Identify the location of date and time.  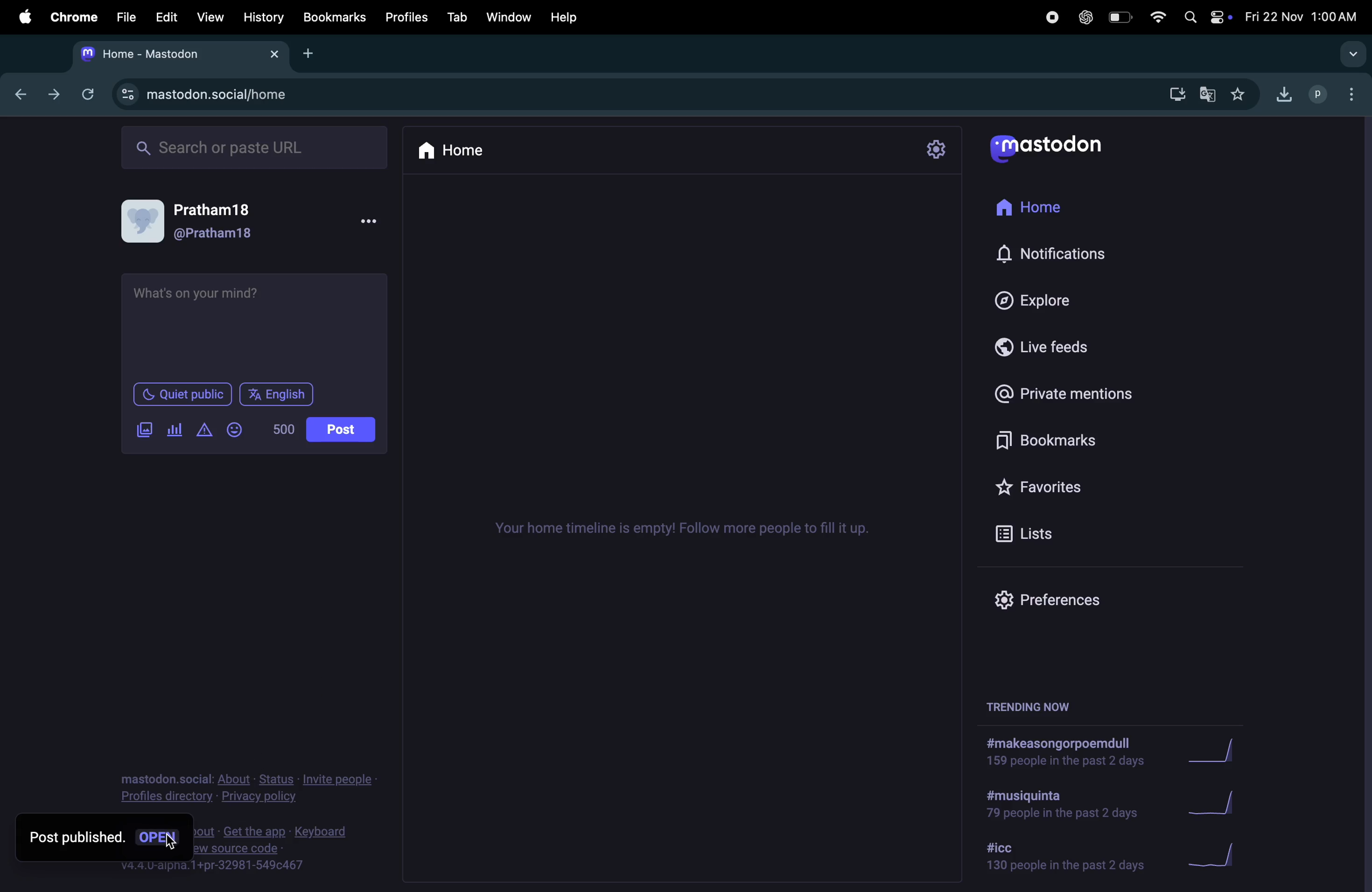
(1301, 14).